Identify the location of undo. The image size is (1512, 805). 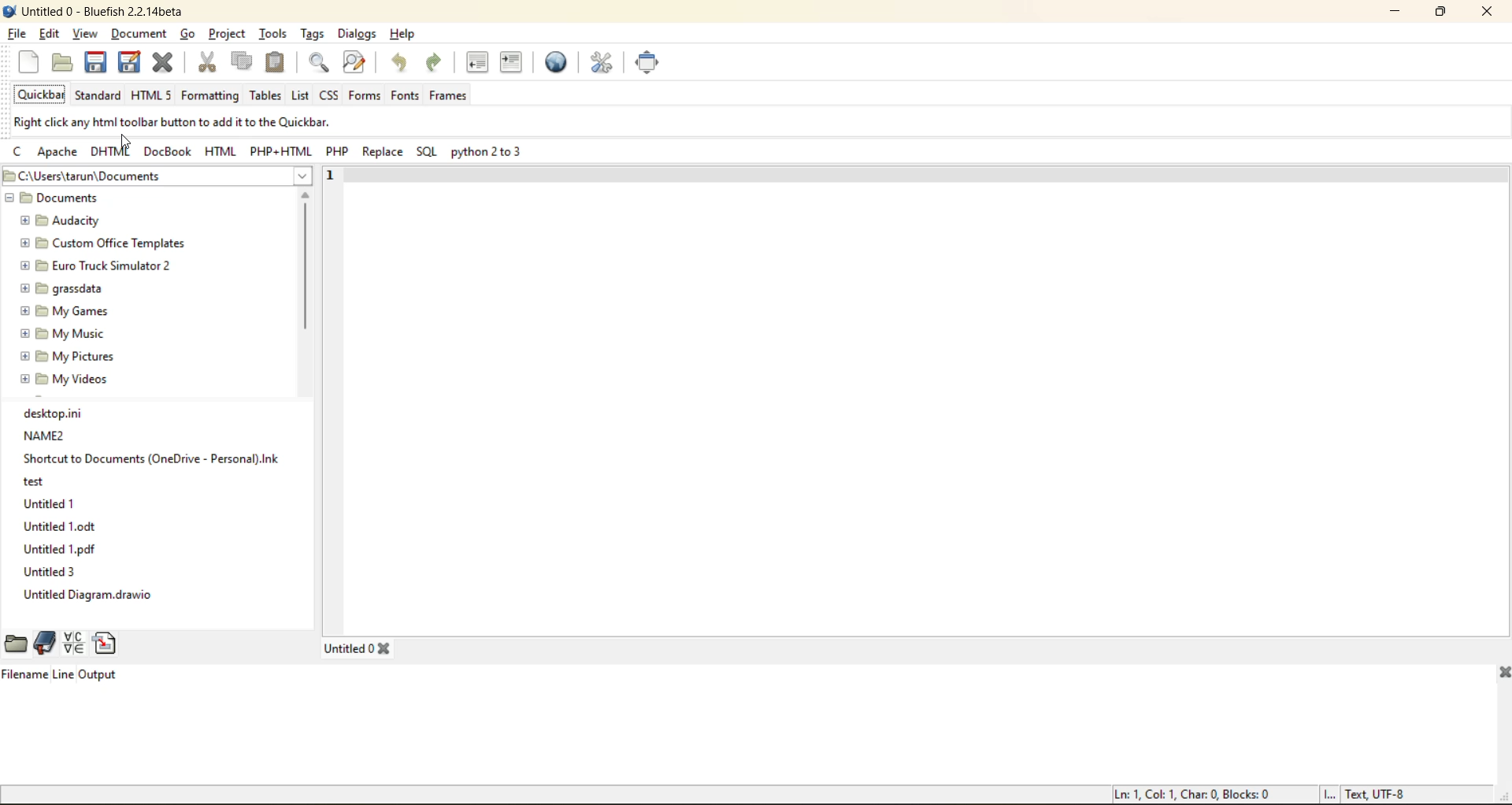
(406, 63).